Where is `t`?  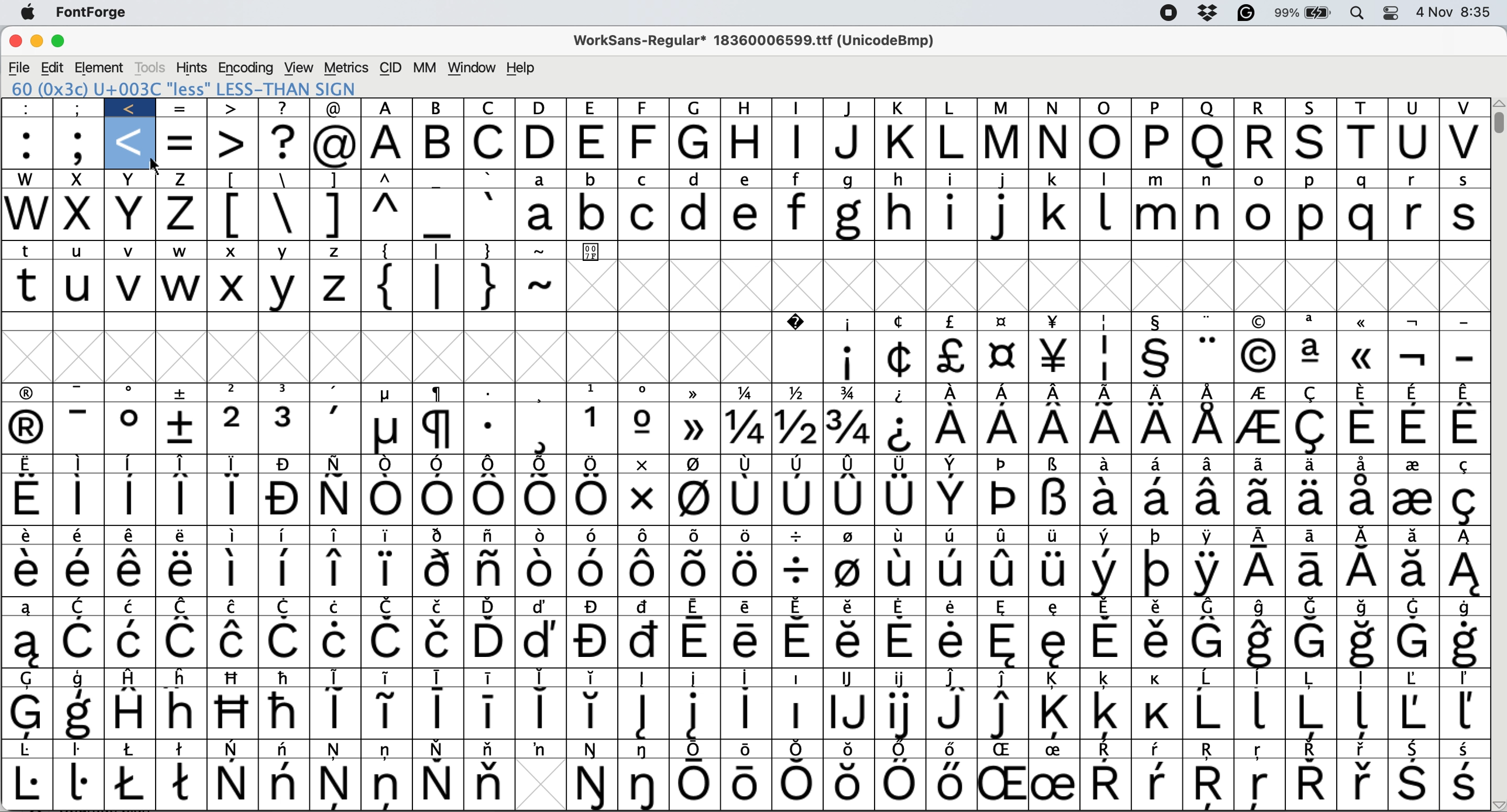
t is located at coordinates (32, 252).